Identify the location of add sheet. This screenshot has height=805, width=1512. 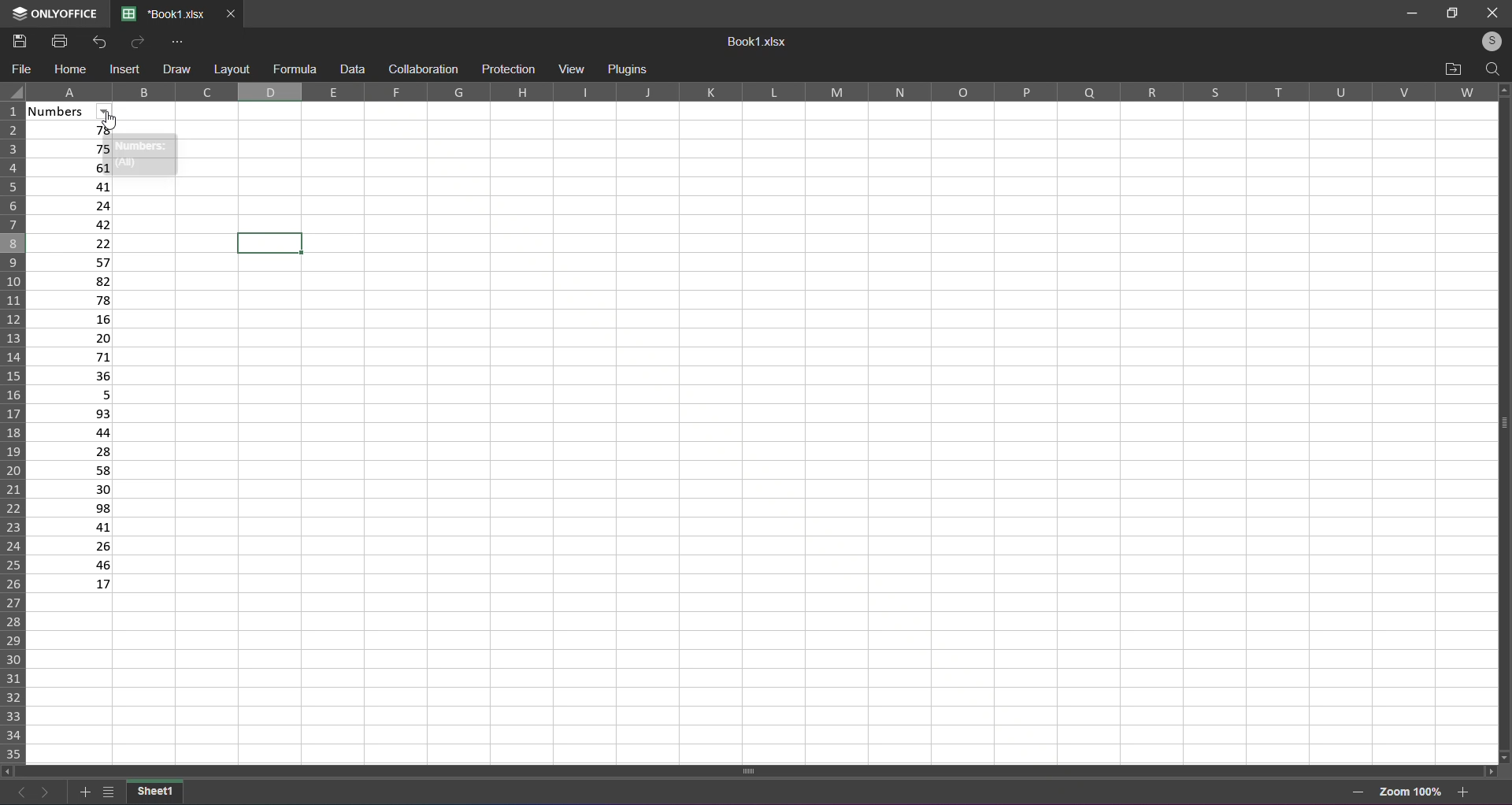
(82, 789).